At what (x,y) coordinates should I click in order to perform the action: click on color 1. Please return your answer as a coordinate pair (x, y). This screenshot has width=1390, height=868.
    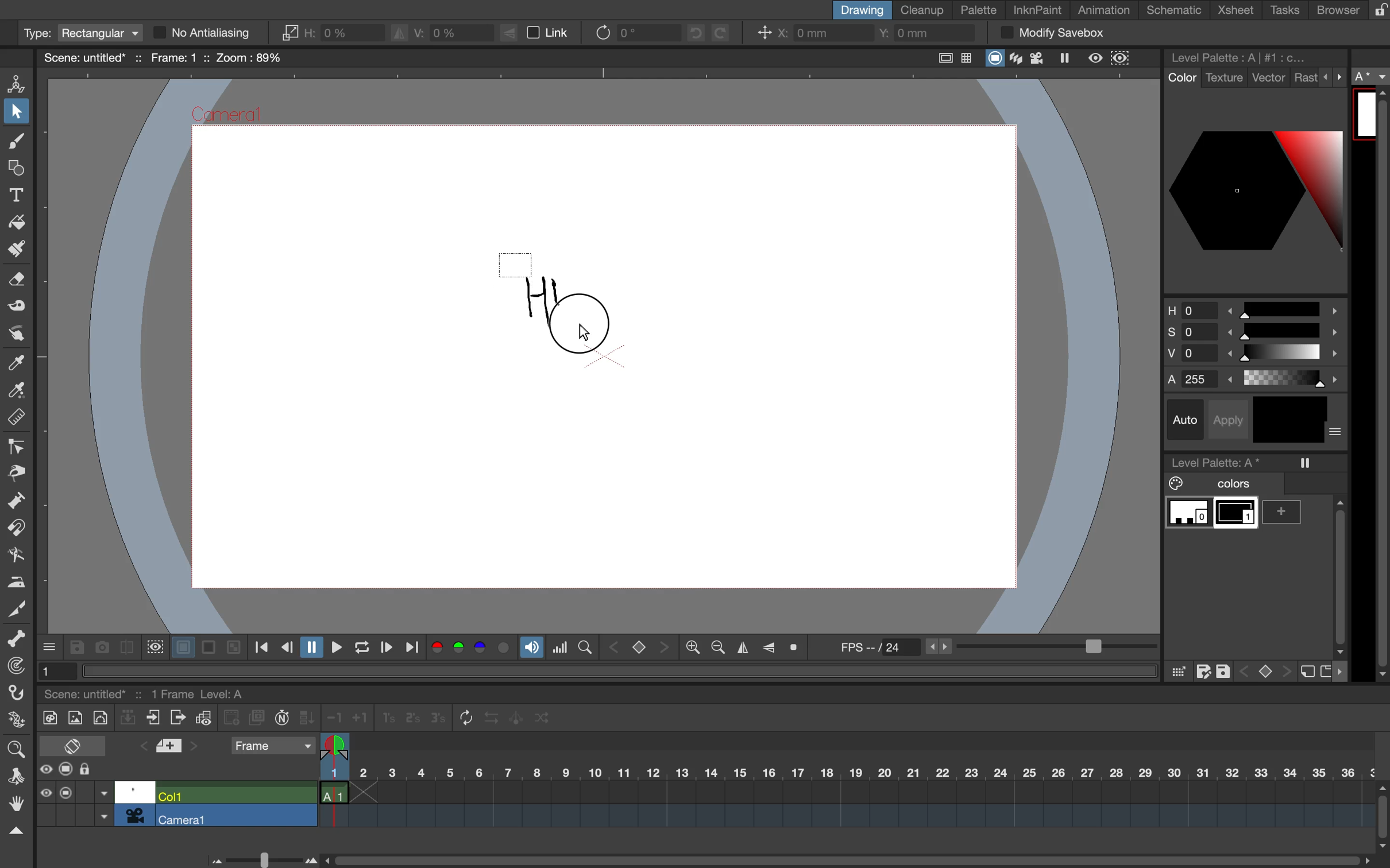
    Looking at the image, I should click on (1237, 515).